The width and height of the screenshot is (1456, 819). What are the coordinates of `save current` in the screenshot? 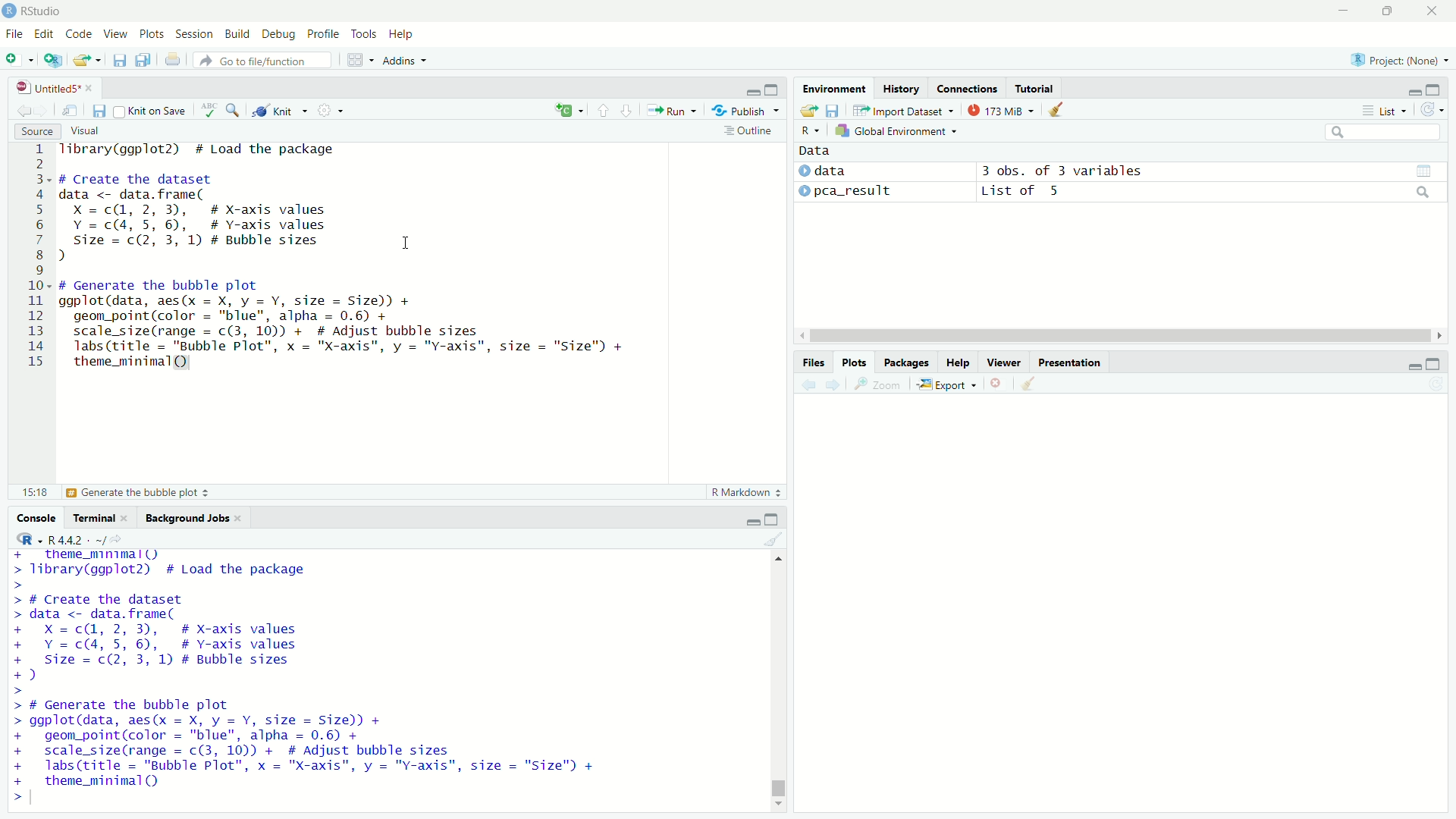 It's located at (121, 59).